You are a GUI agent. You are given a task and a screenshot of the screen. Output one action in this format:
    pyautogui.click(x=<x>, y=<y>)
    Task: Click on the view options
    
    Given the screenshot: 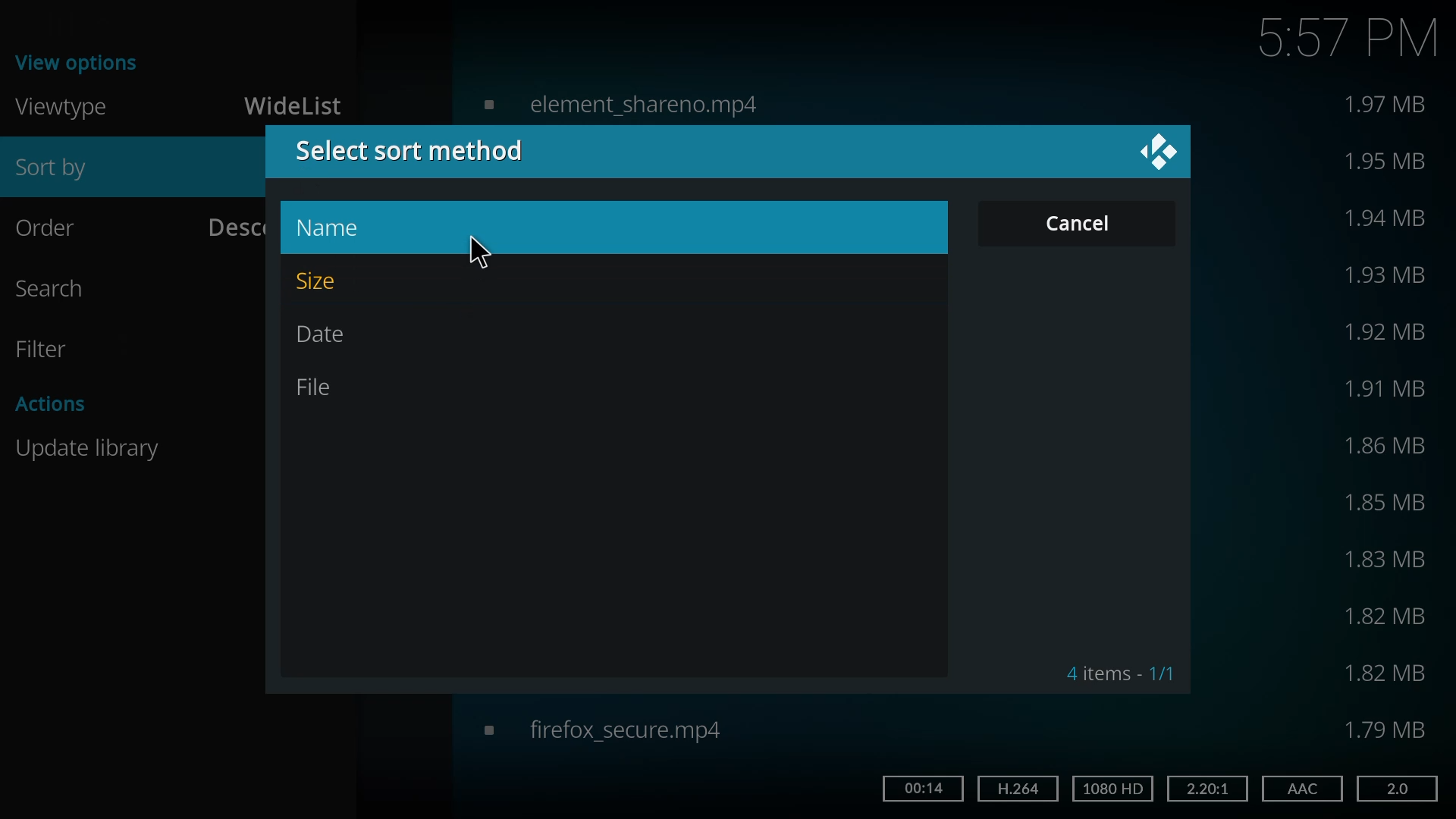 What is the action you would take?
    pyautogui.click(x=82, y=61)
    